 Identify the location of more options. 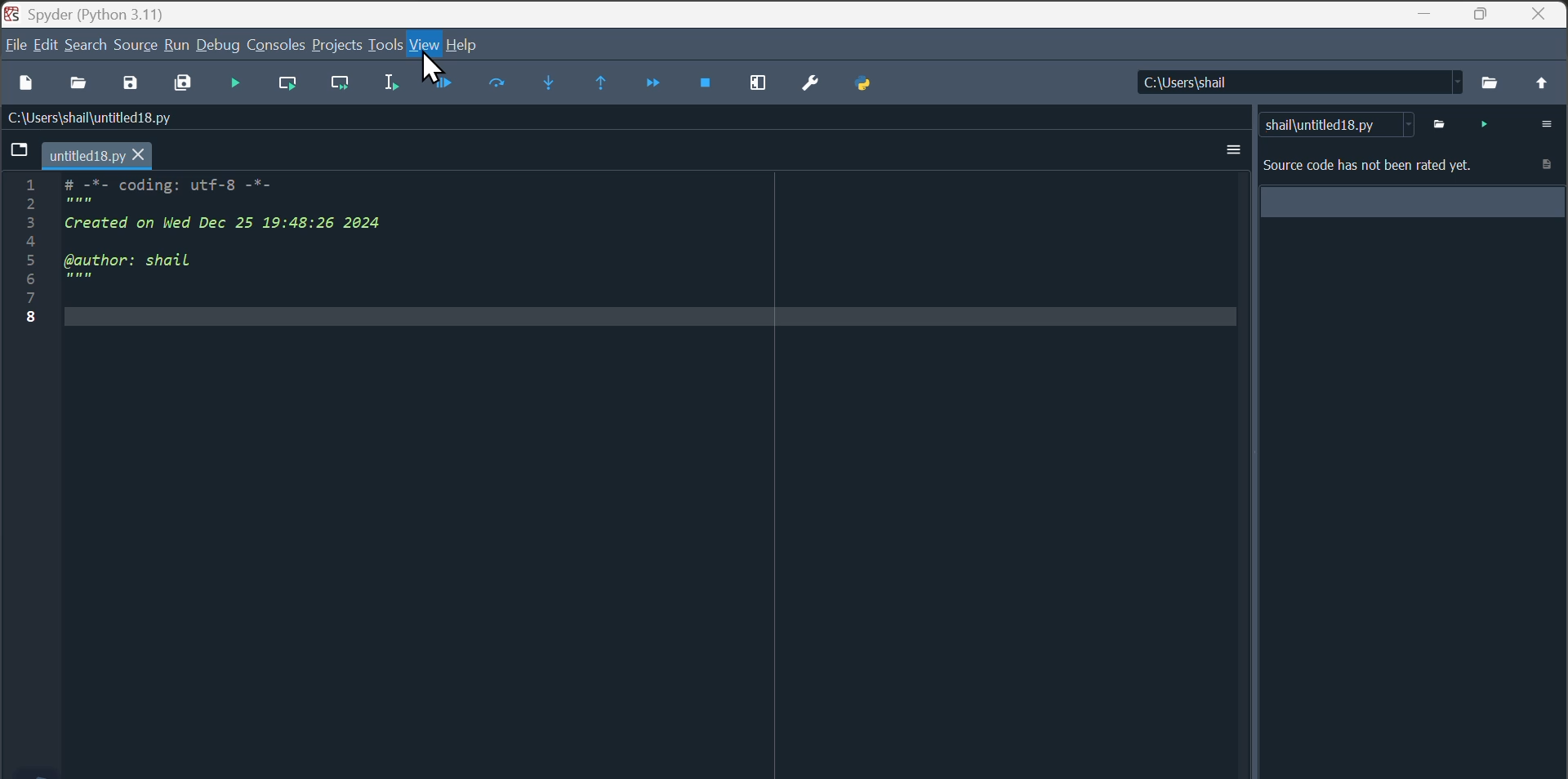
(1540, 123).